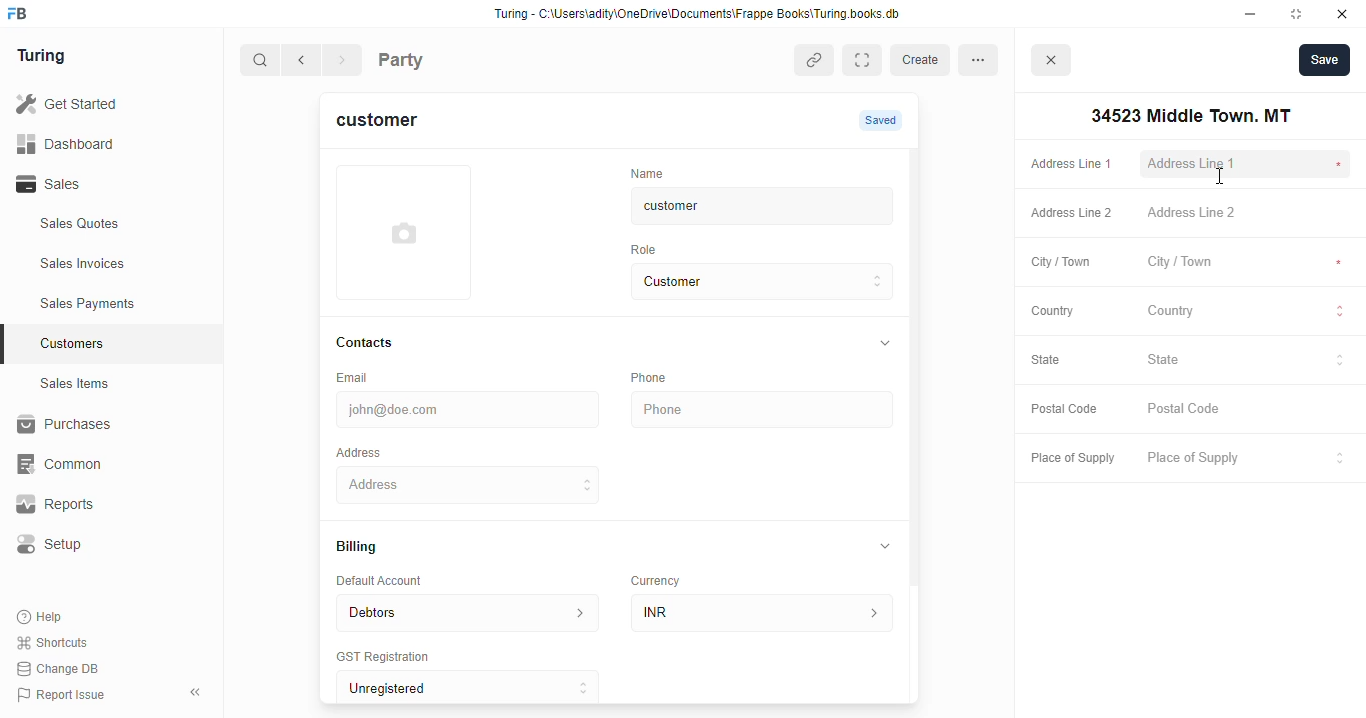 Image resolution: width=1366 pixels, height=718 pixels. I want to click on State, so click(1247, 360).